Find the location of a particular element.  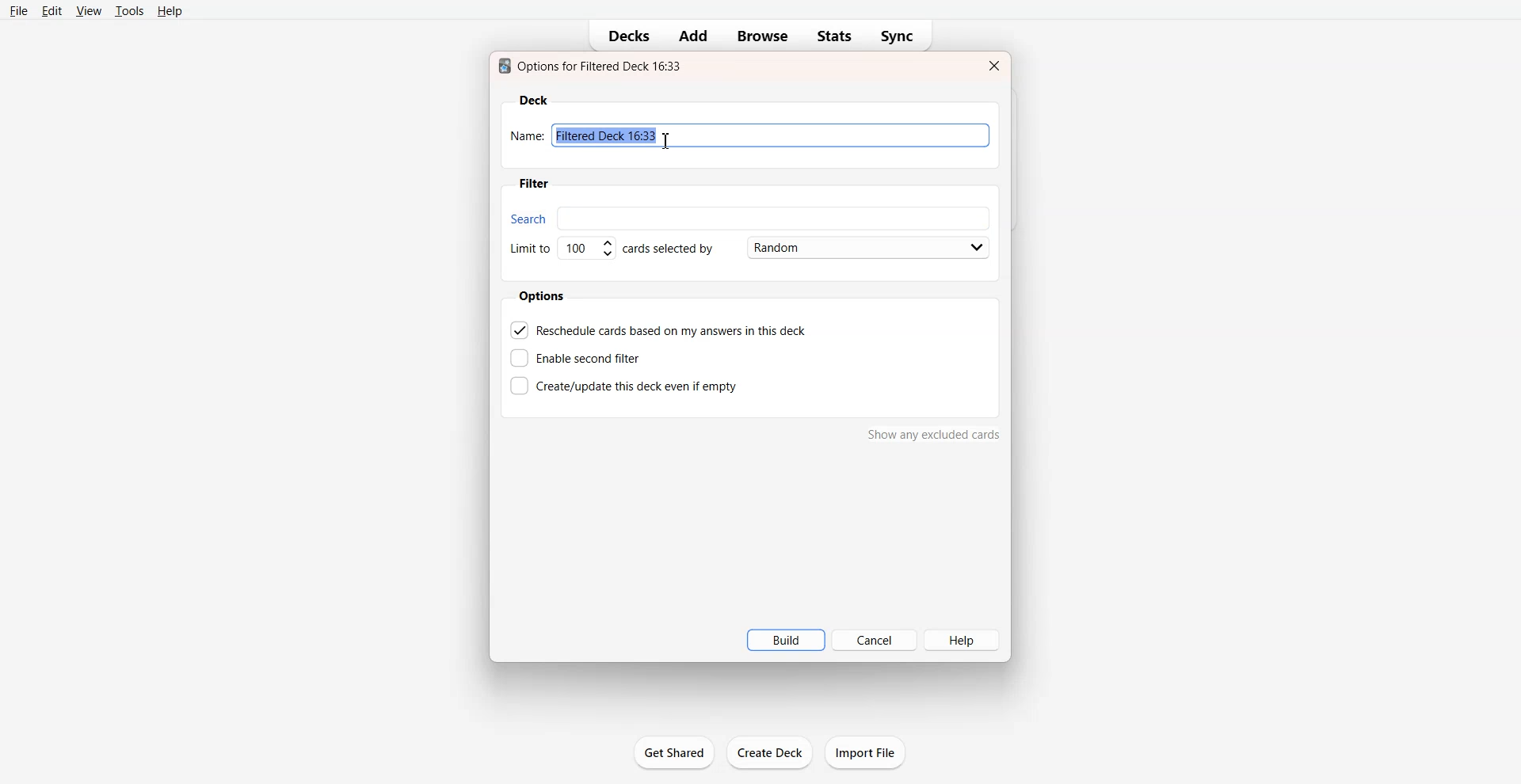

Build is located at coordinates (786, 640).